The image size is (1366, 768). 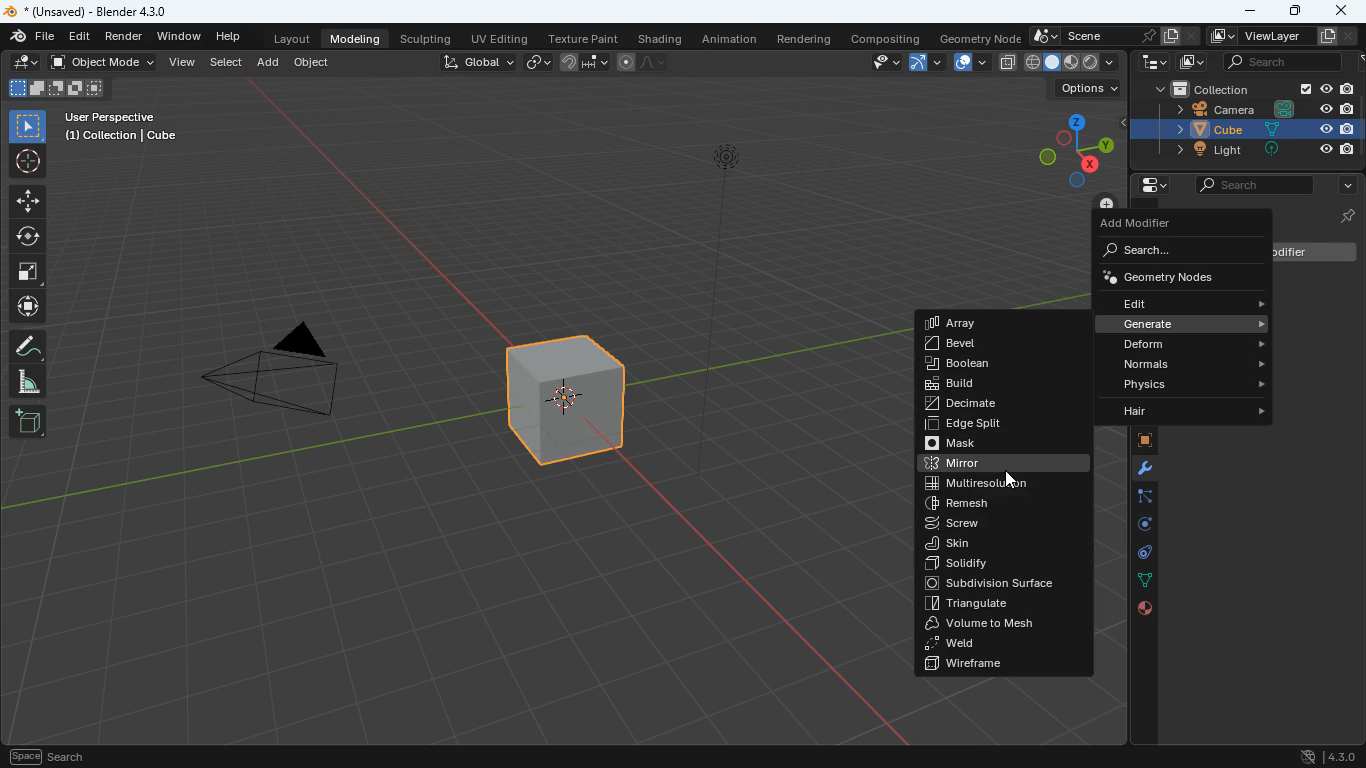 I want to click on rotate, so click(x=1135, y=524).